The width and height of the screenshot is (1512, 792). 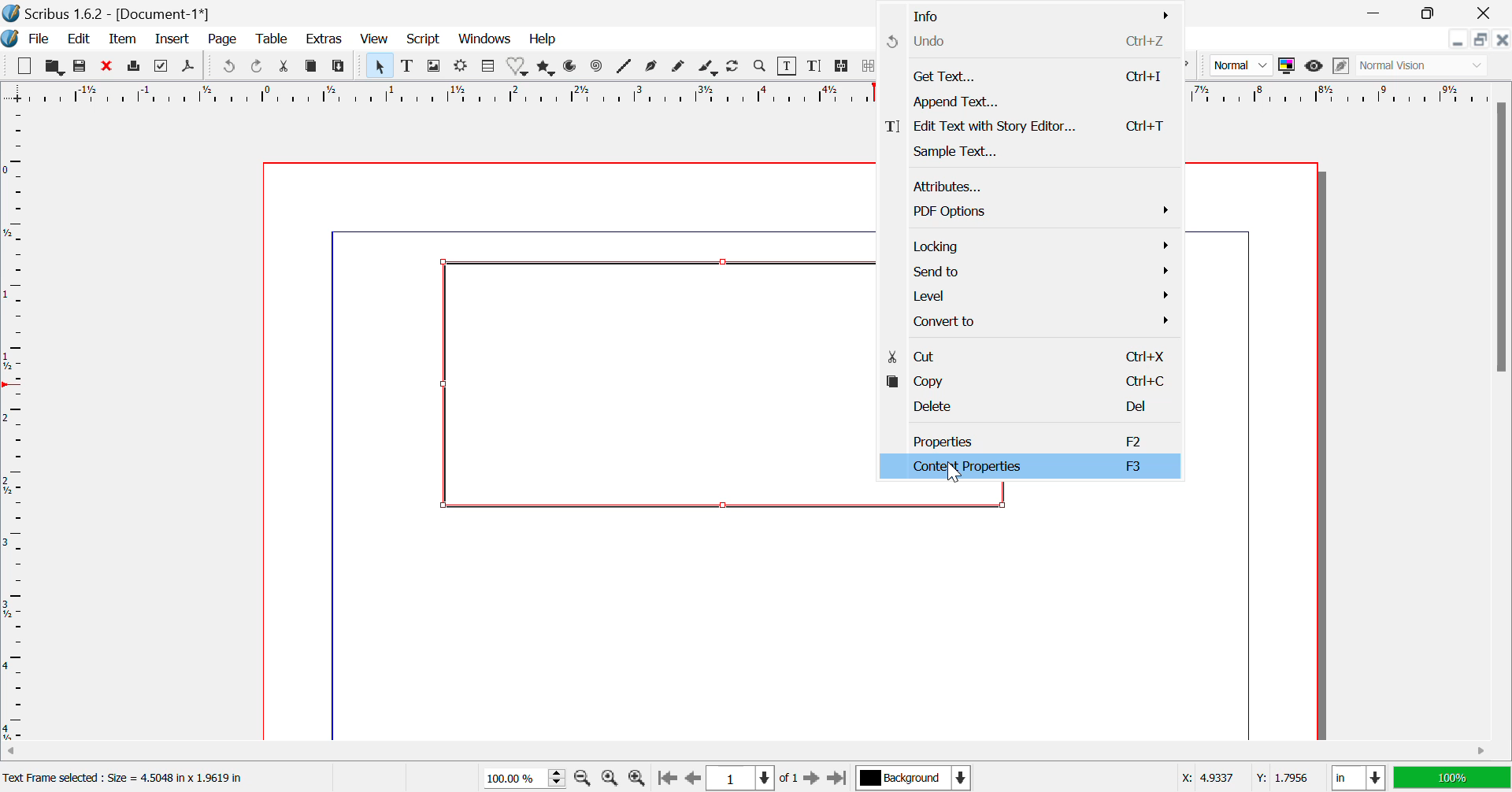 I want to click on Item, so click(x=123, y=41).